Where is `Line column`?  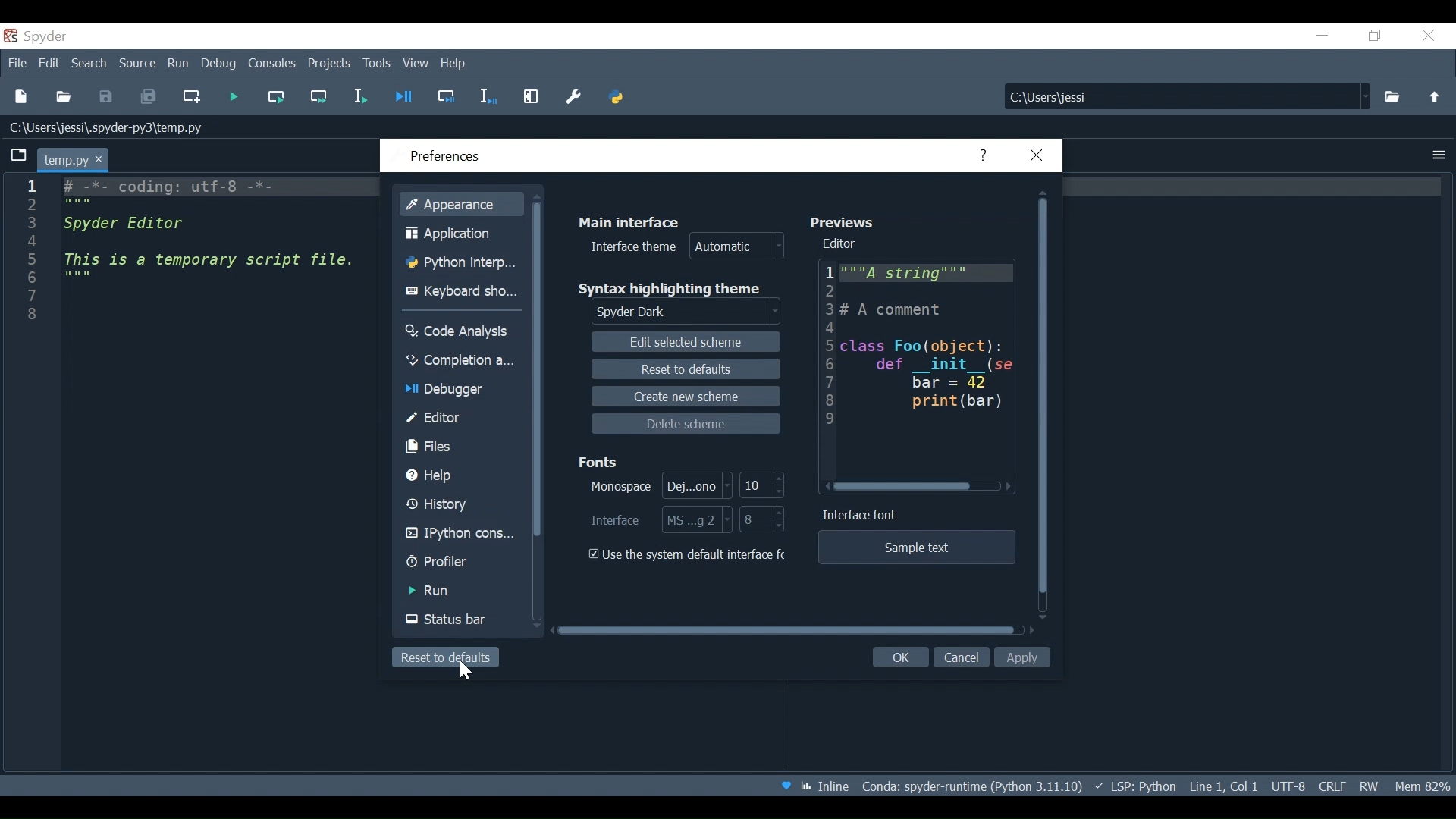 Line column is located at coordinates (30, 475).